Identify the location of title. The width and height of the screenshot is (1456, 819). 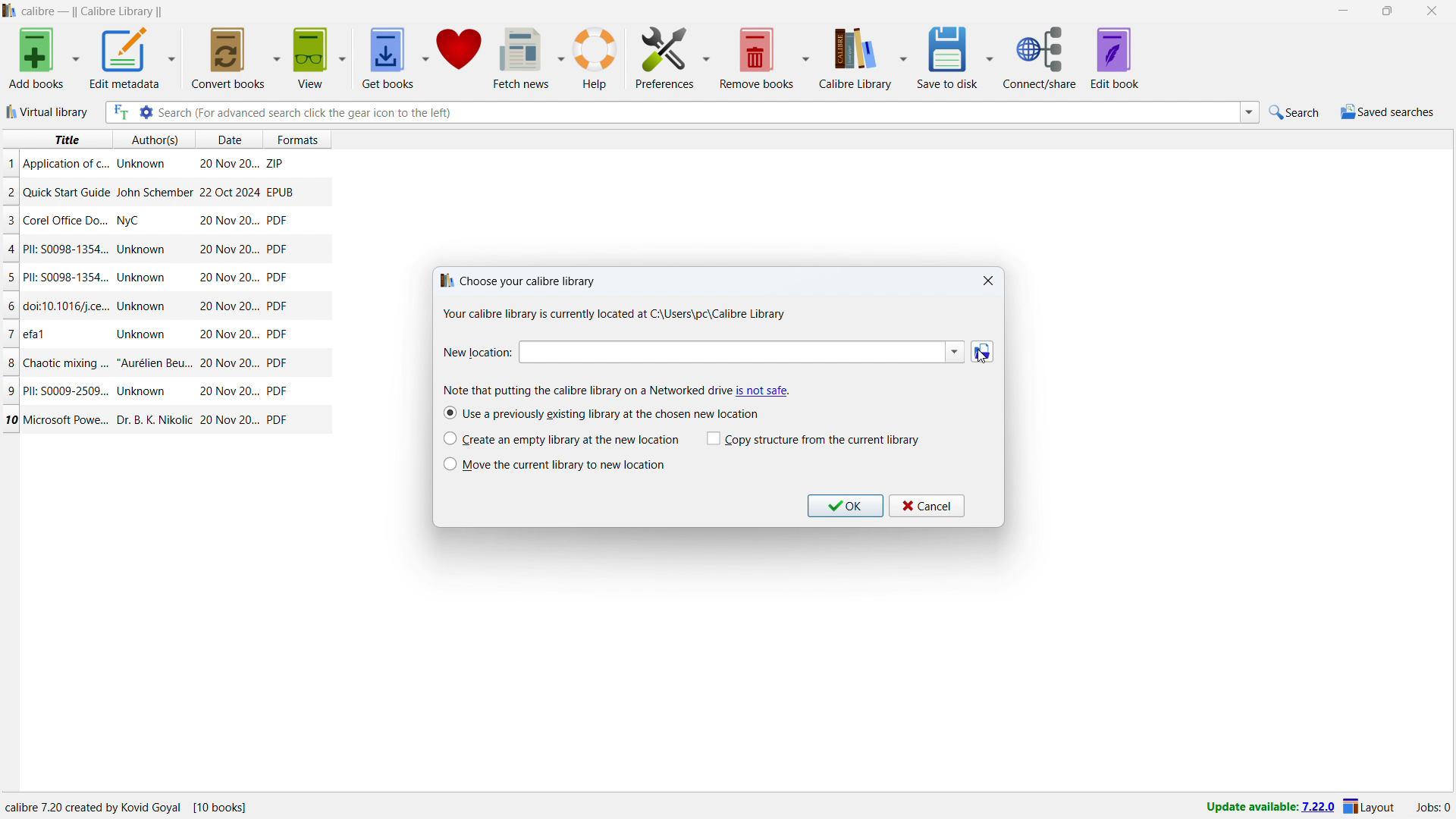
(93, 12).